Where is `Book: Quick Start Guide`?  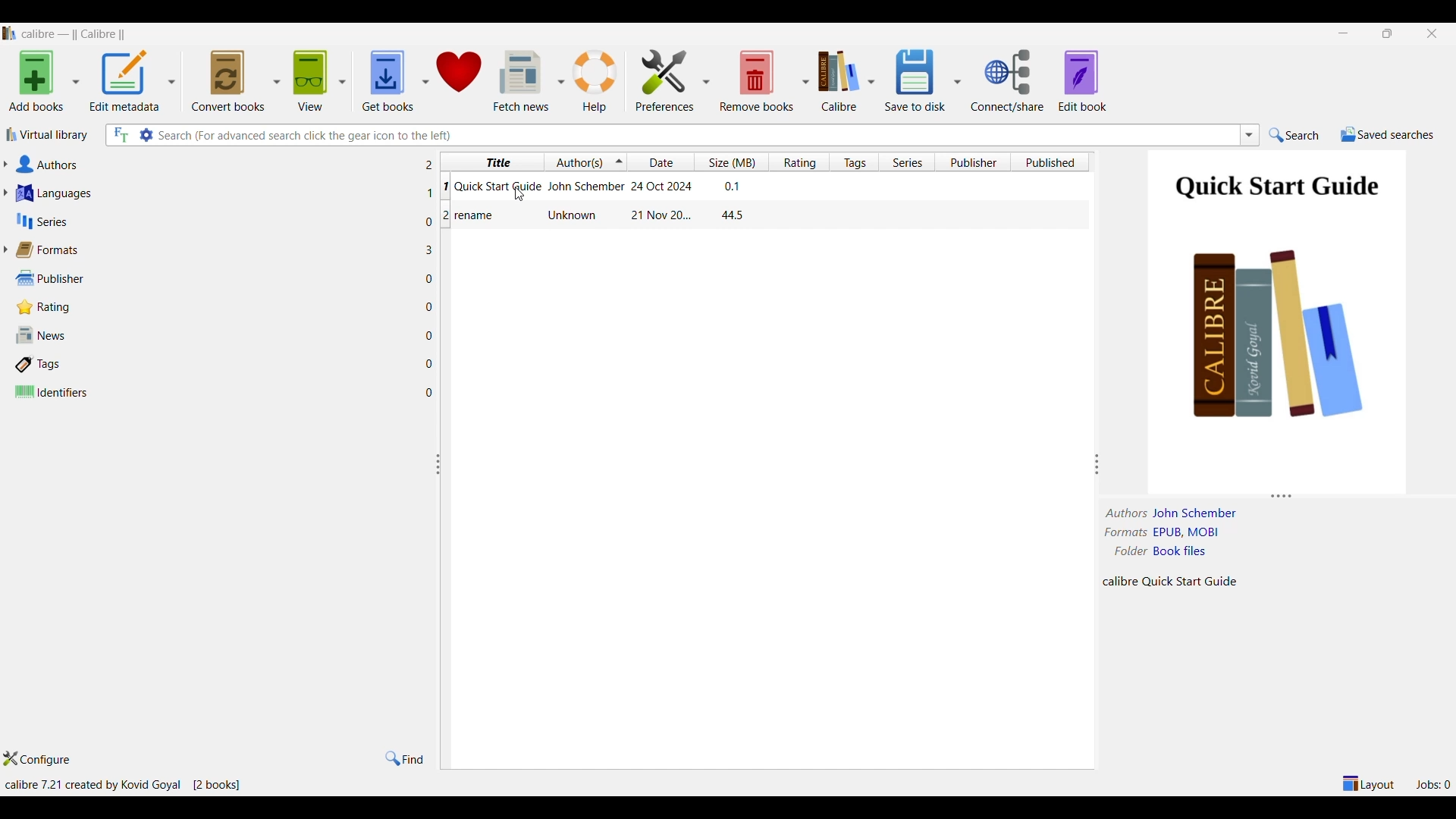 Book: Quick Start Guide is located at coordinates (597, 188).